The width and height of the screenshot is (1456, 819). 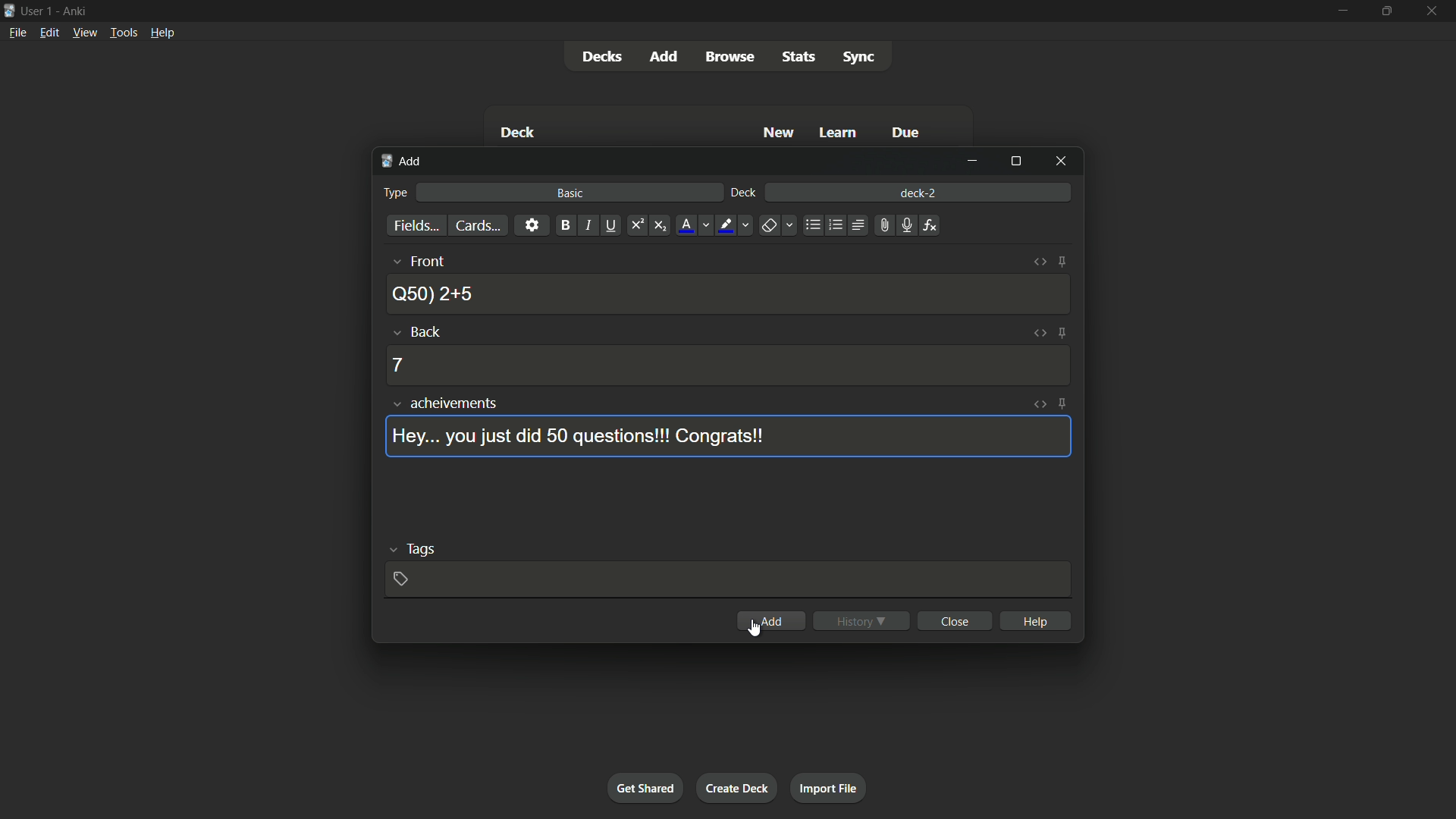 What do you see at coordinates (74, 11) in the screenshot?
I see `app name` at bounding box center [74, 11].